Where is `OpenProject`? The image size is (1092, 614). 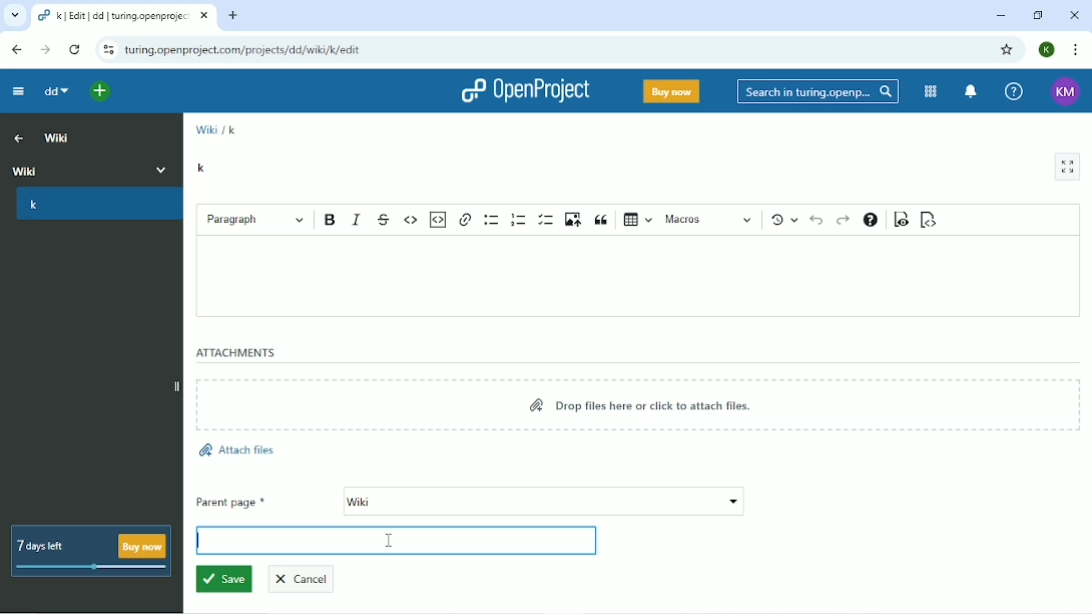 OpenProject is located at coordinates (523, 92).